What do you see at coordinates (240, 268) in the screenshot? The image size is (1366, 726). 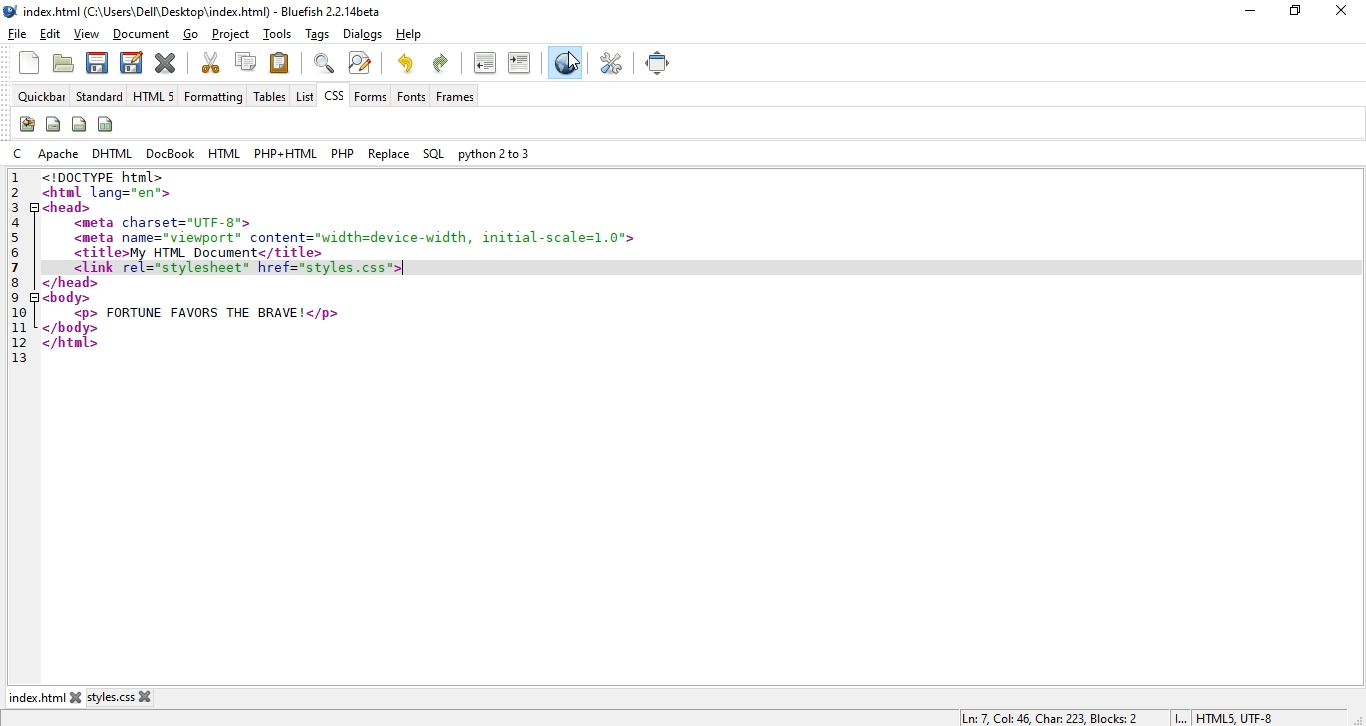 I see `<link rel="stylesheet" href="styles.css">` at bounding box center [240, 268].